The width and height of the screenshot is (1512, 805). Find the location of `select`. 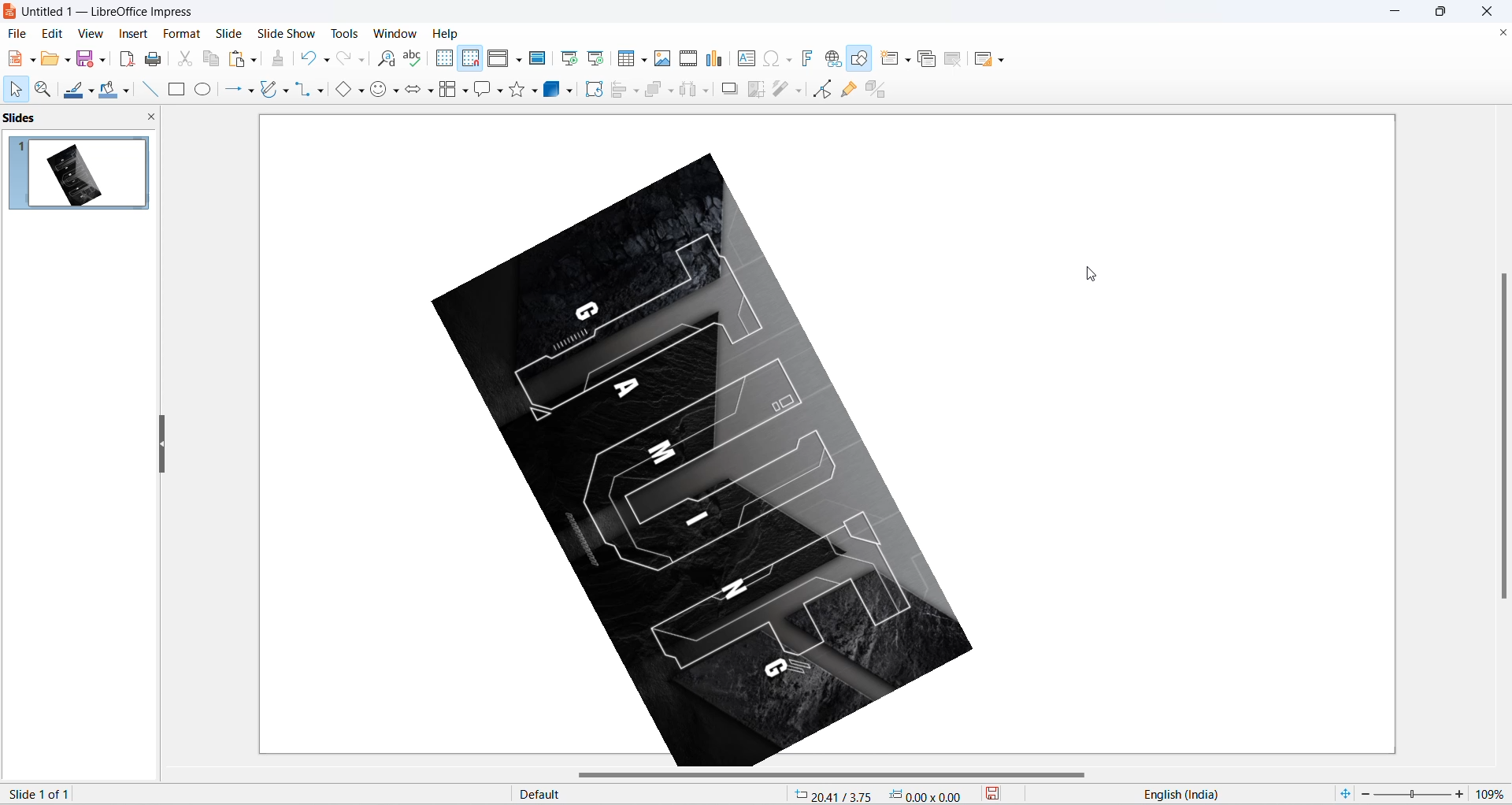

select is located at coordinates (13, 91).